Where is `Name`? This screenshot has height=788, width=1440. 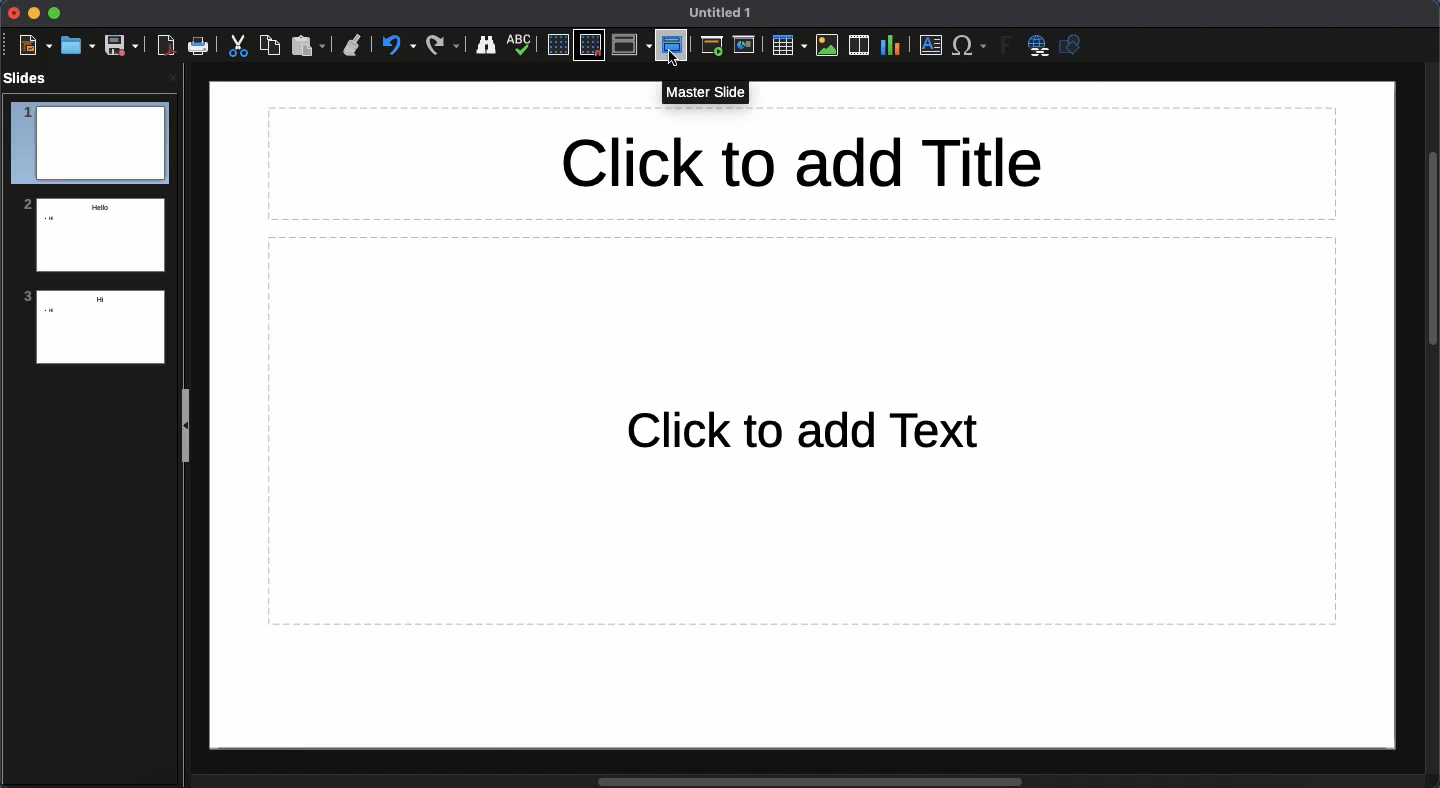
Name is located at coordinates (716, 12).